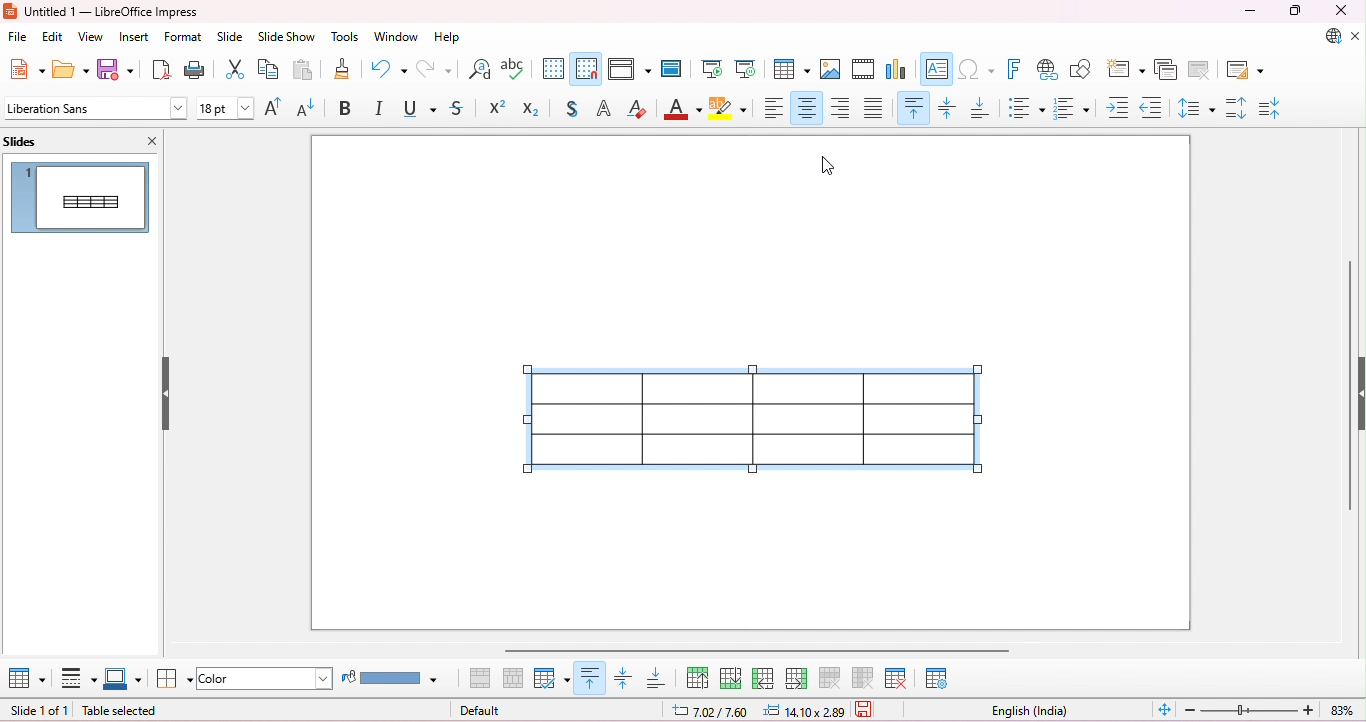  What do you see at coordinates (1271, 109) in the screenshot?
I see `decrease paragraph spacing` at bounding box center [1271, 109].